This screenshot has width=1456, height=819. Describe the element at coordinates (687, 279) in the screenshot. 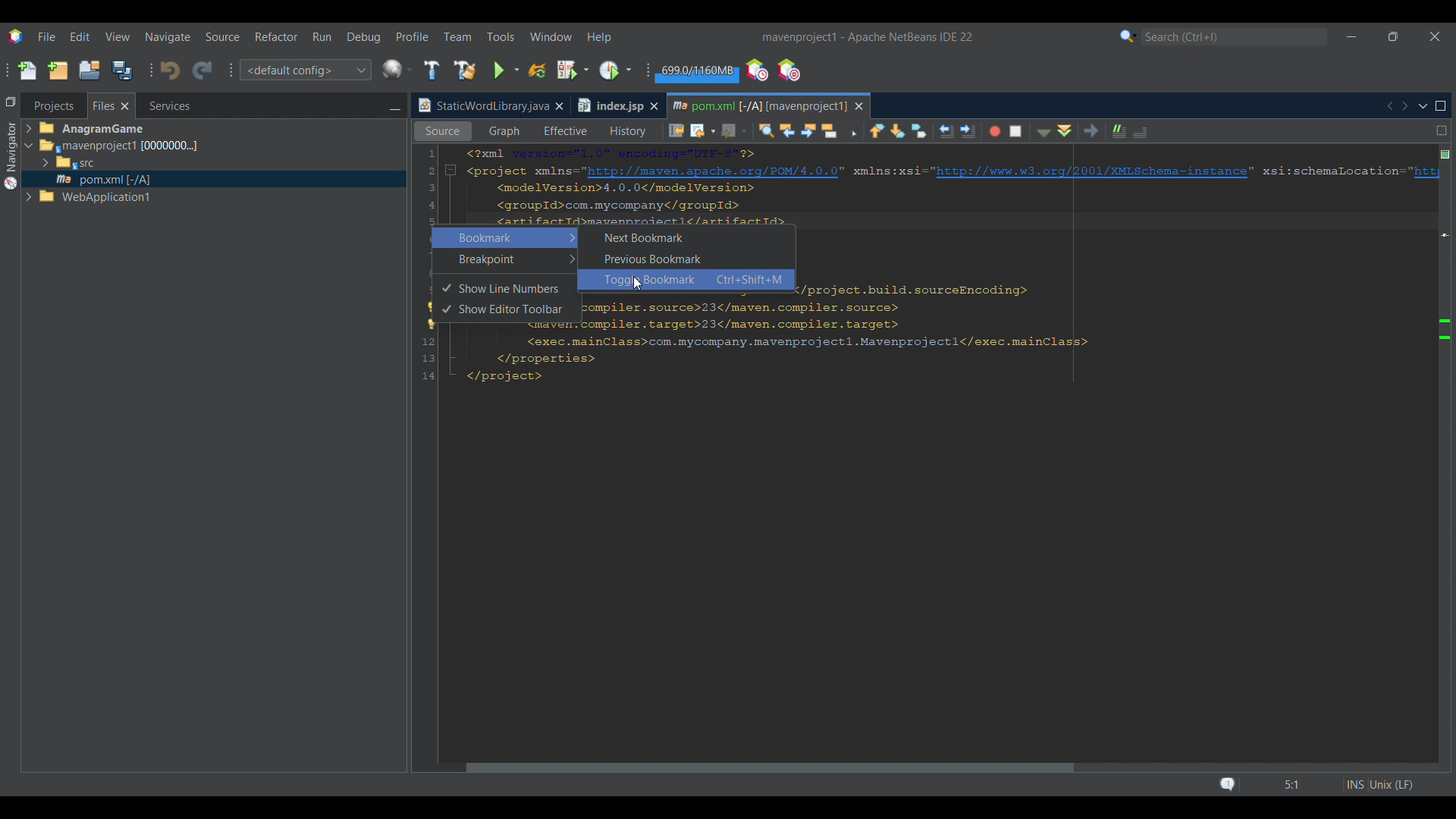

I see `Toggle Bookmark highlighted by cursor` at that location.